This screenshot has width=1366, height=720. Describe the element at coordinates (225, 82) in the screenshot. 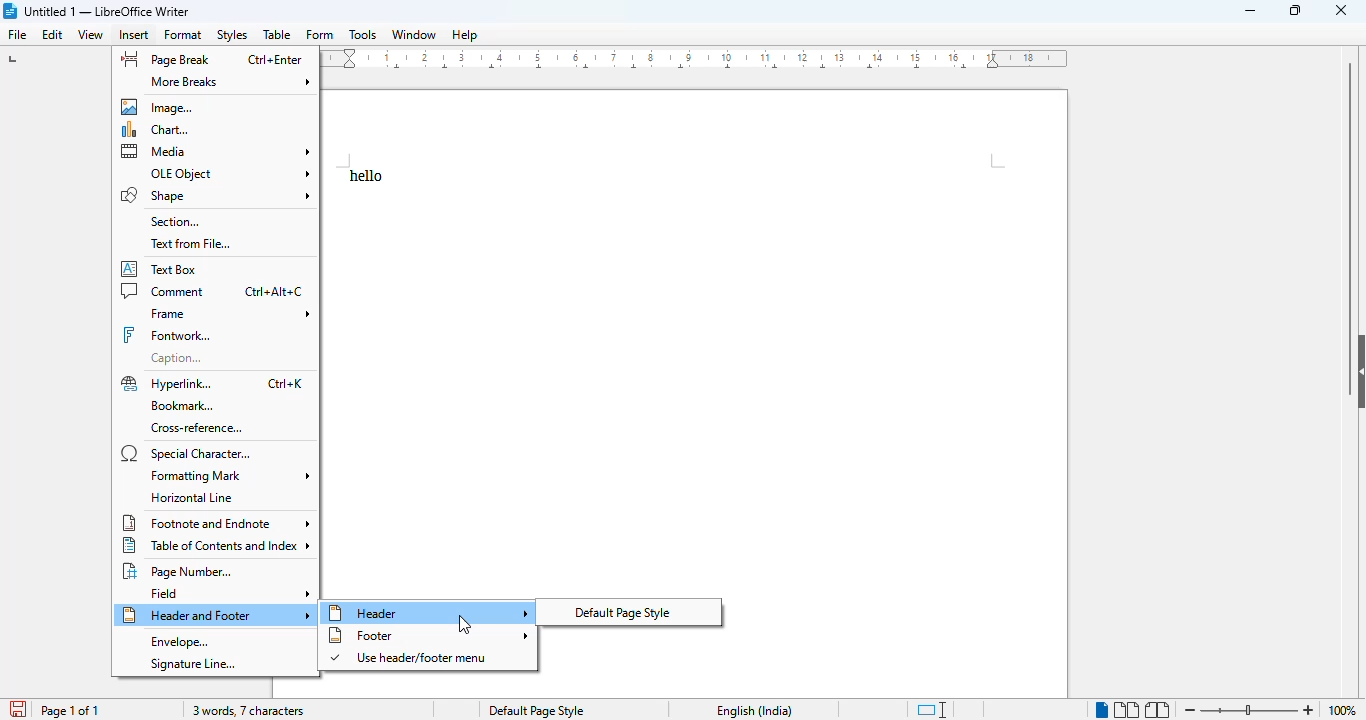

I see `more breaks` at that location.